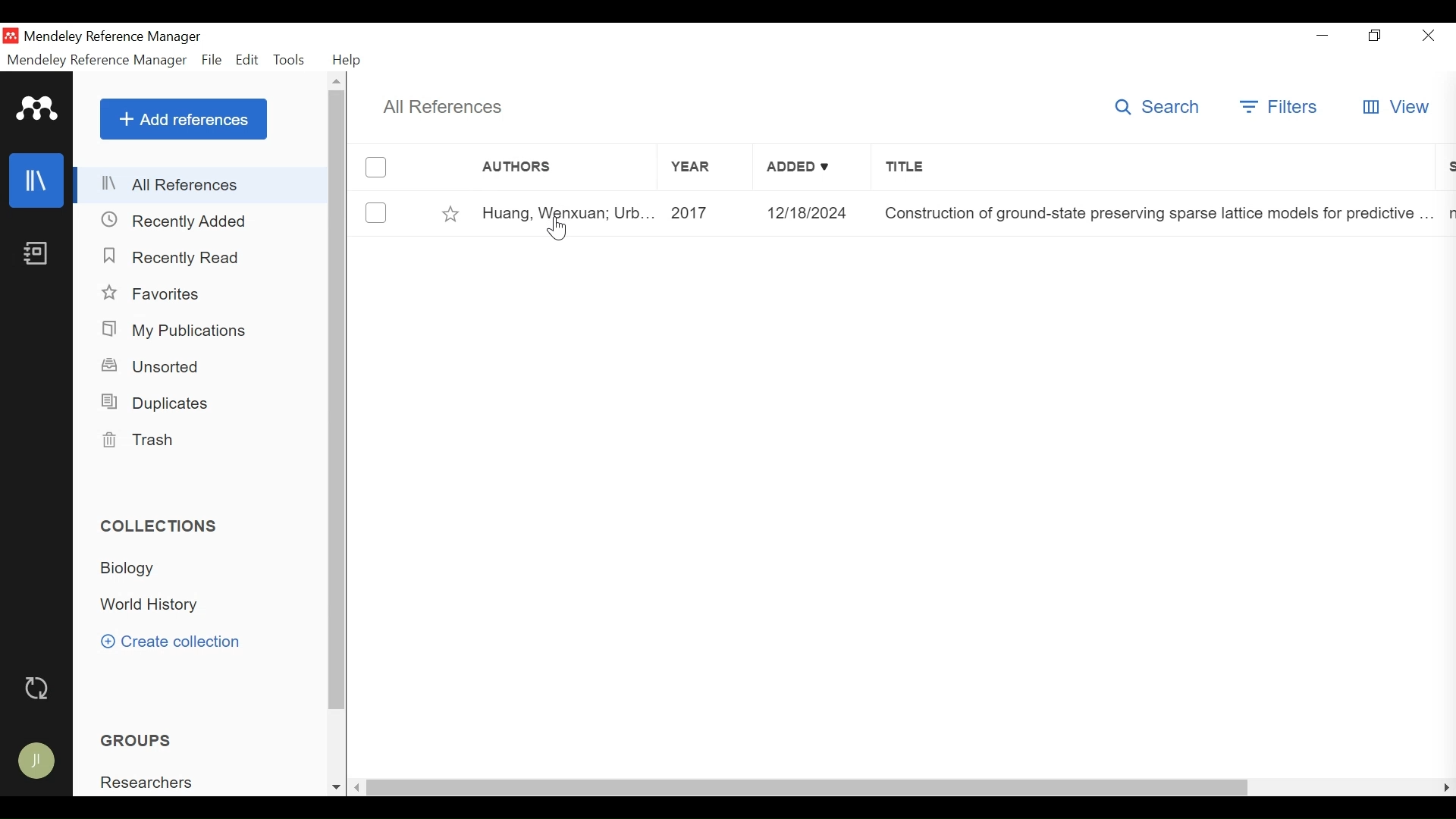 This screenshot has width=1456, height=819. What do you see at coordinates (247, 60) in the screenshot?
I see `Edit` at bounding box center [247, 60].